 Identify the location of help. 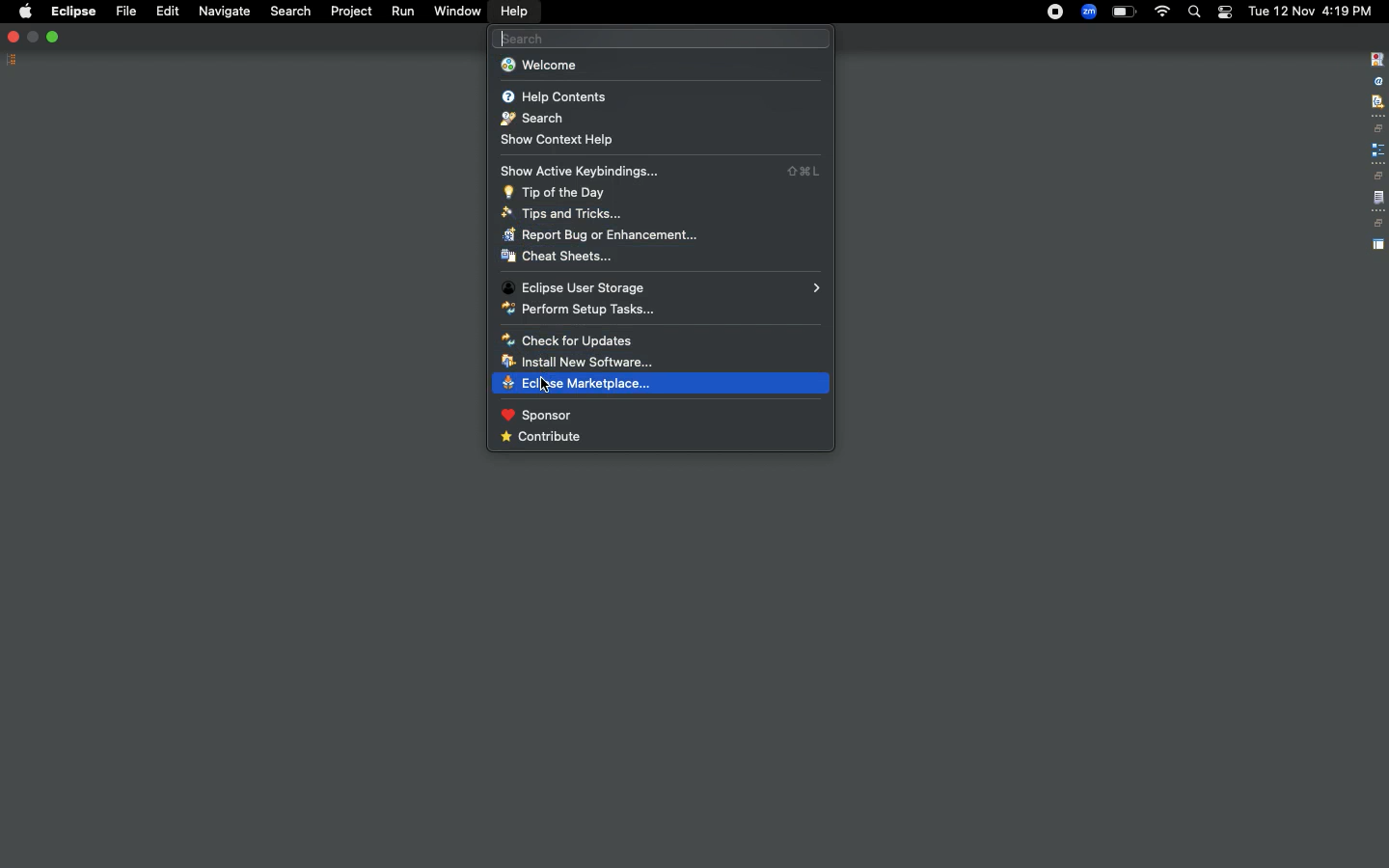
(514, 12).